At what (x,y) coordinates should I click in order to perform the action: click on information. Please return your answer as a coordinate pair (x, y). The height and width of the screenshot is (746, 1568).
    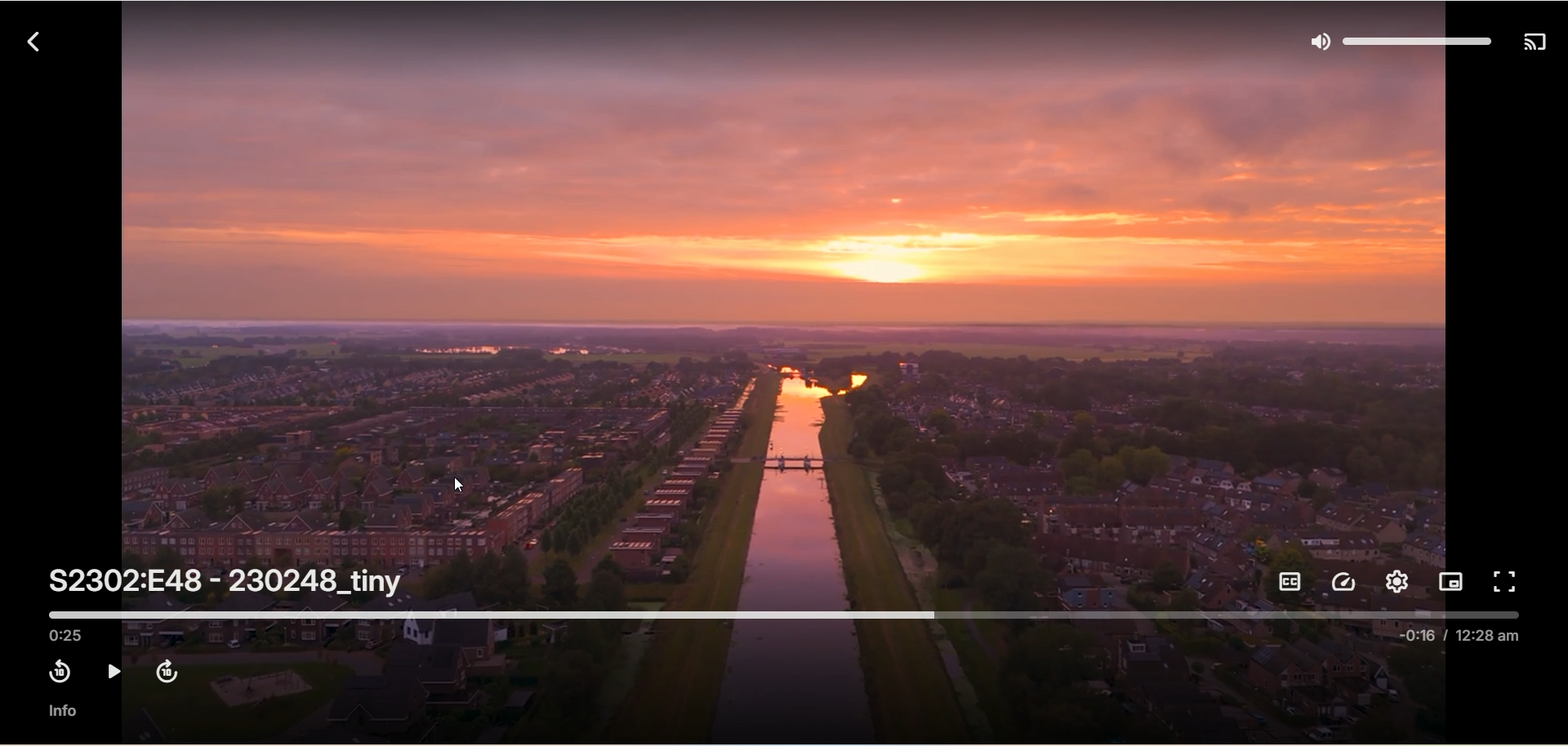
    Looking at the image, I should click on (61, 712).